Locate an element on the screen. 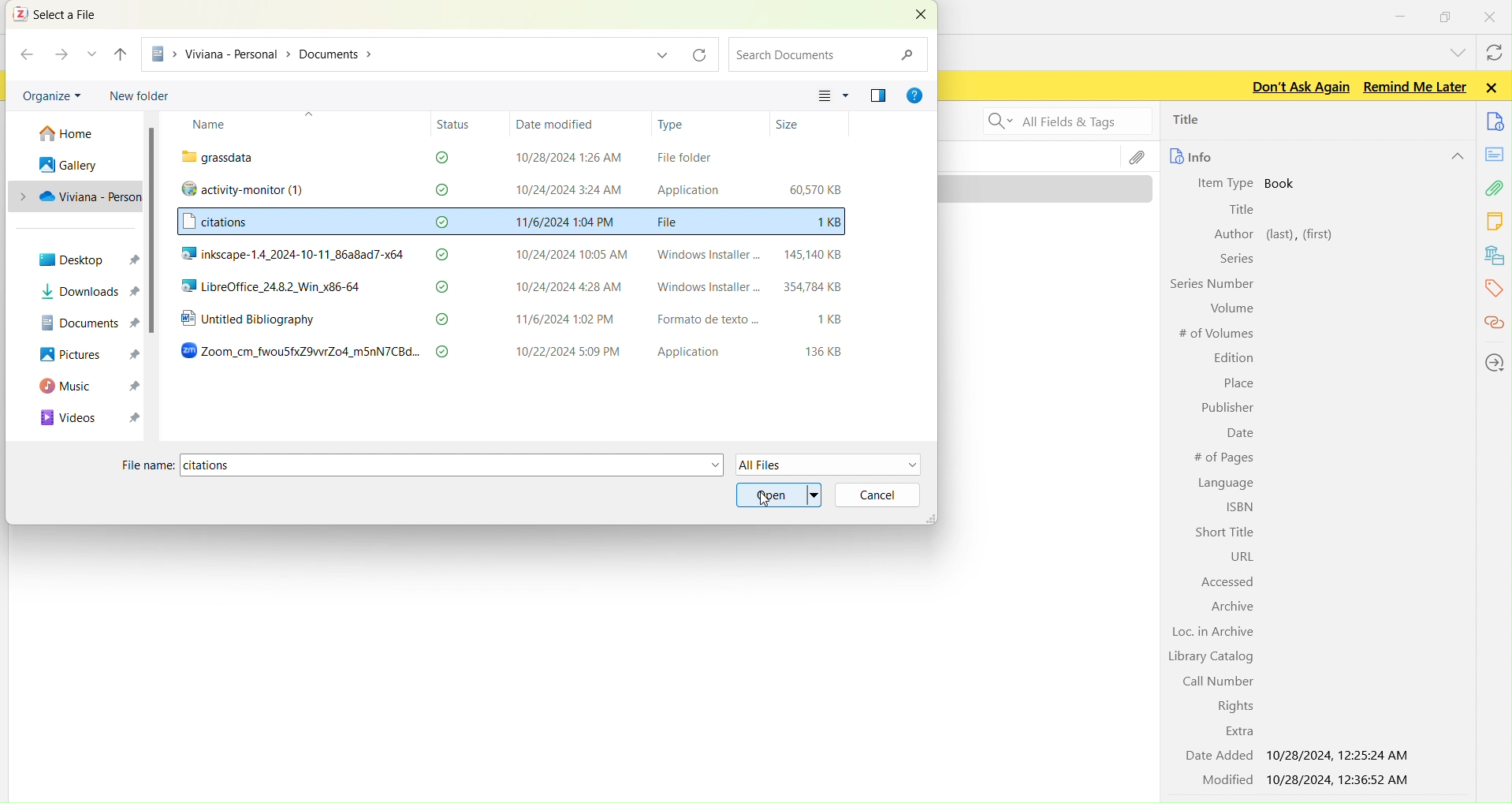 The height and width of the screenshot is (803, 1512). library is located at coordinates (1497, 256).